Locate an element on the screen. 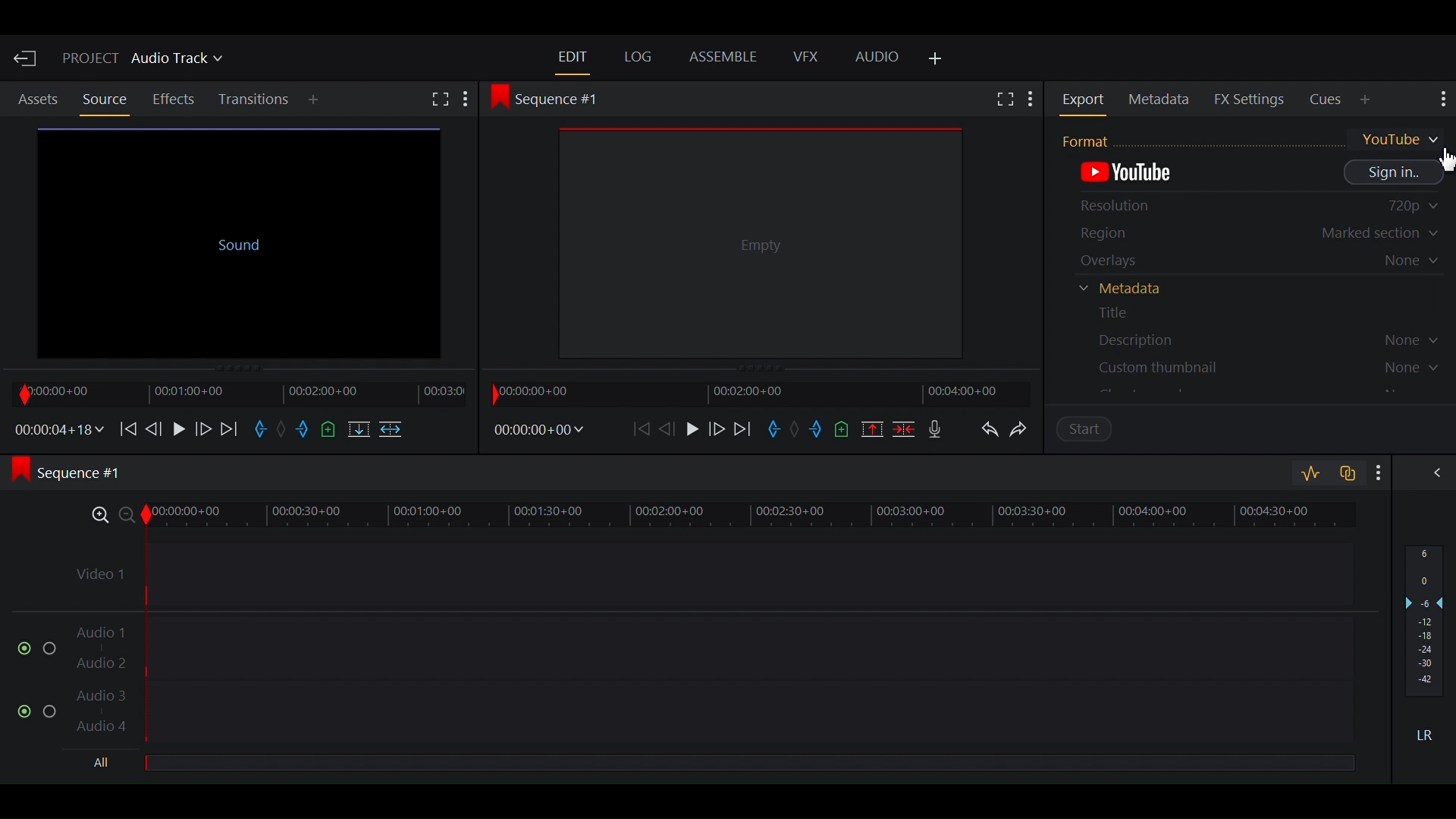  Delete/Cut is located at coordinates (905, 428).